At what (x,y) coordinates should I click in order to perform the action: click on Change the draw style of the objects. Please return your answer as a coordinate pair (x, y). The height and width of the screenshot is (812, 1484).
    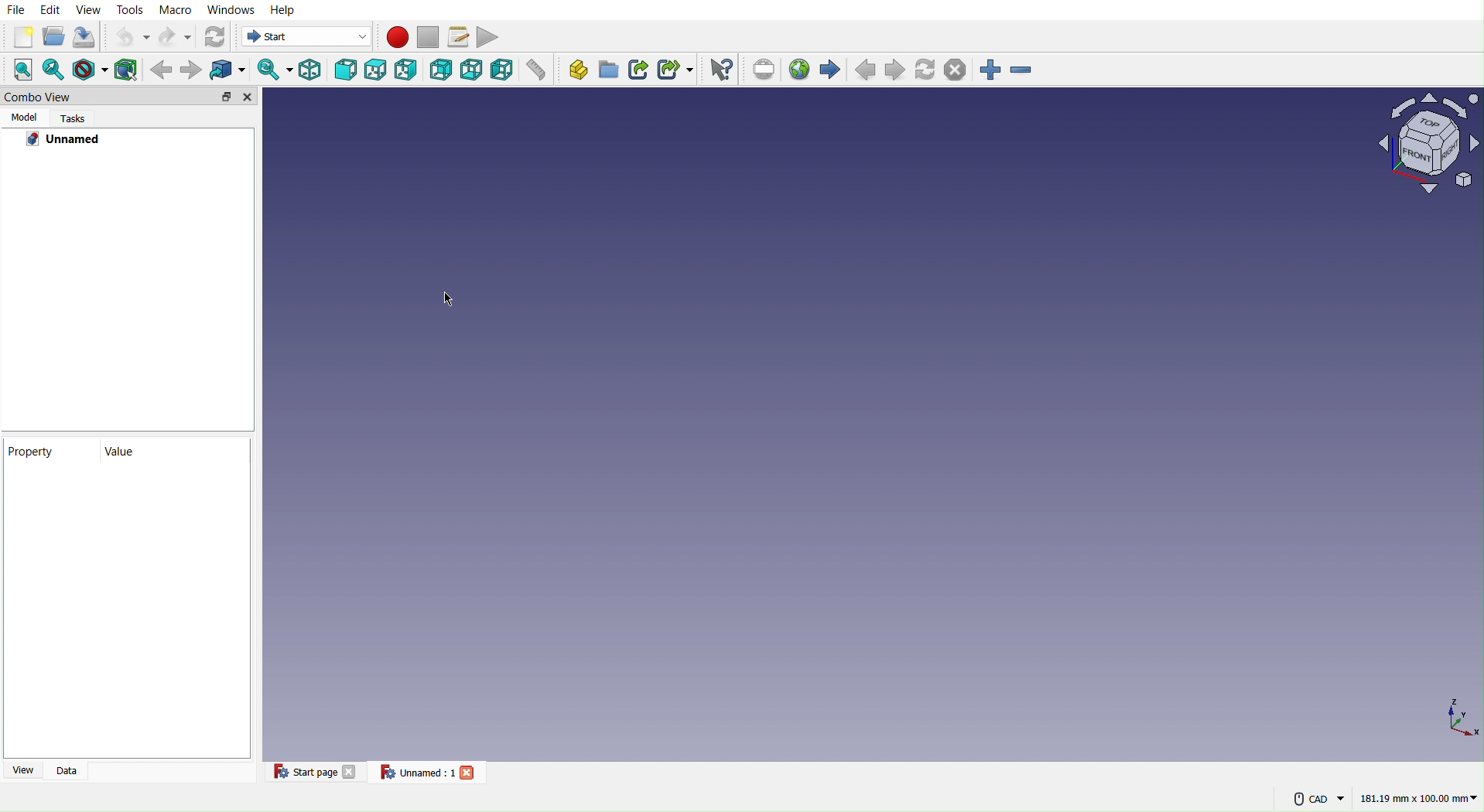
    Looking at the image, I should click on (92, 68).